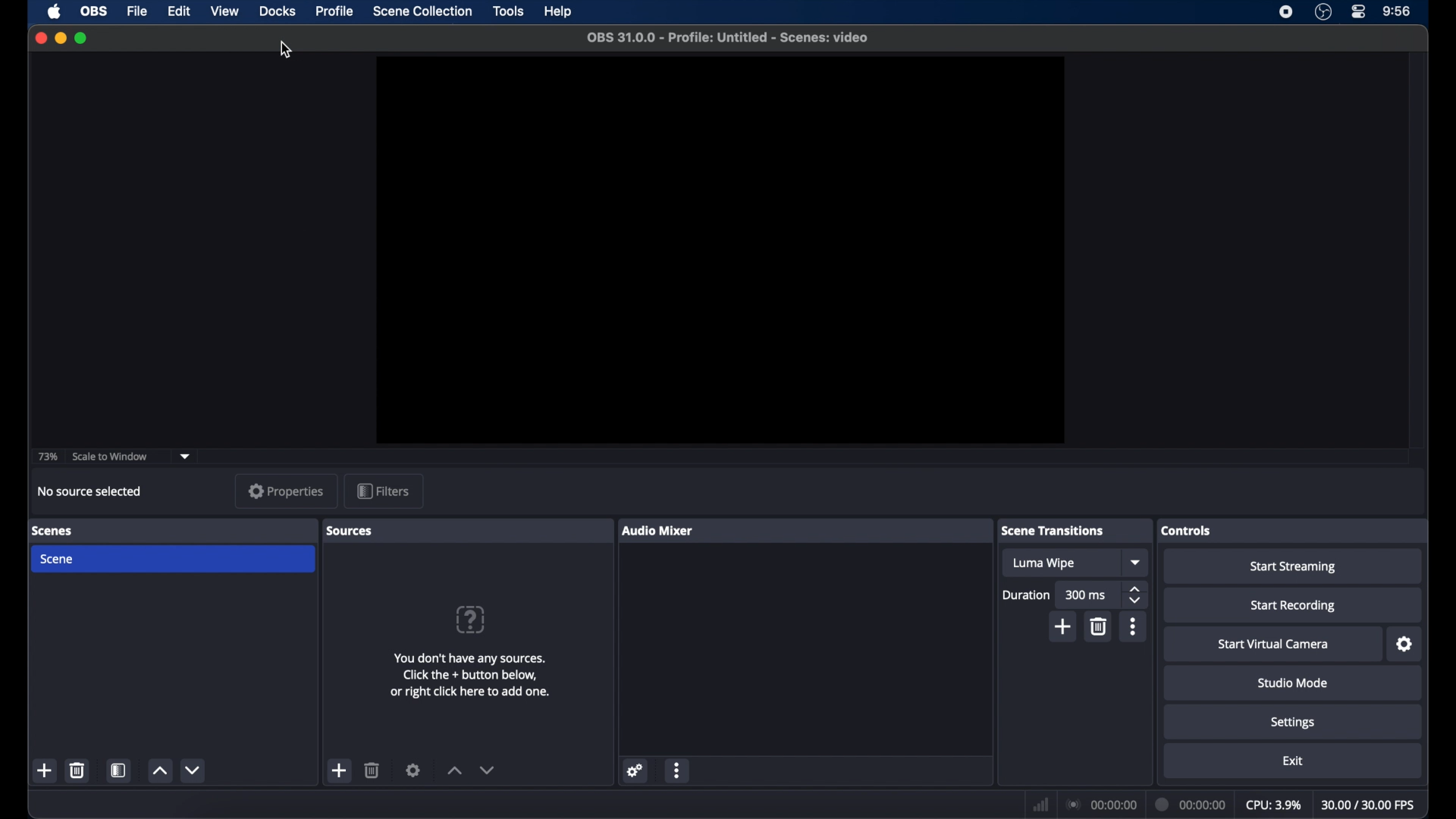 The width and height of the screenshot is (1456, 819). I want to click on increment, so click(159, 771).